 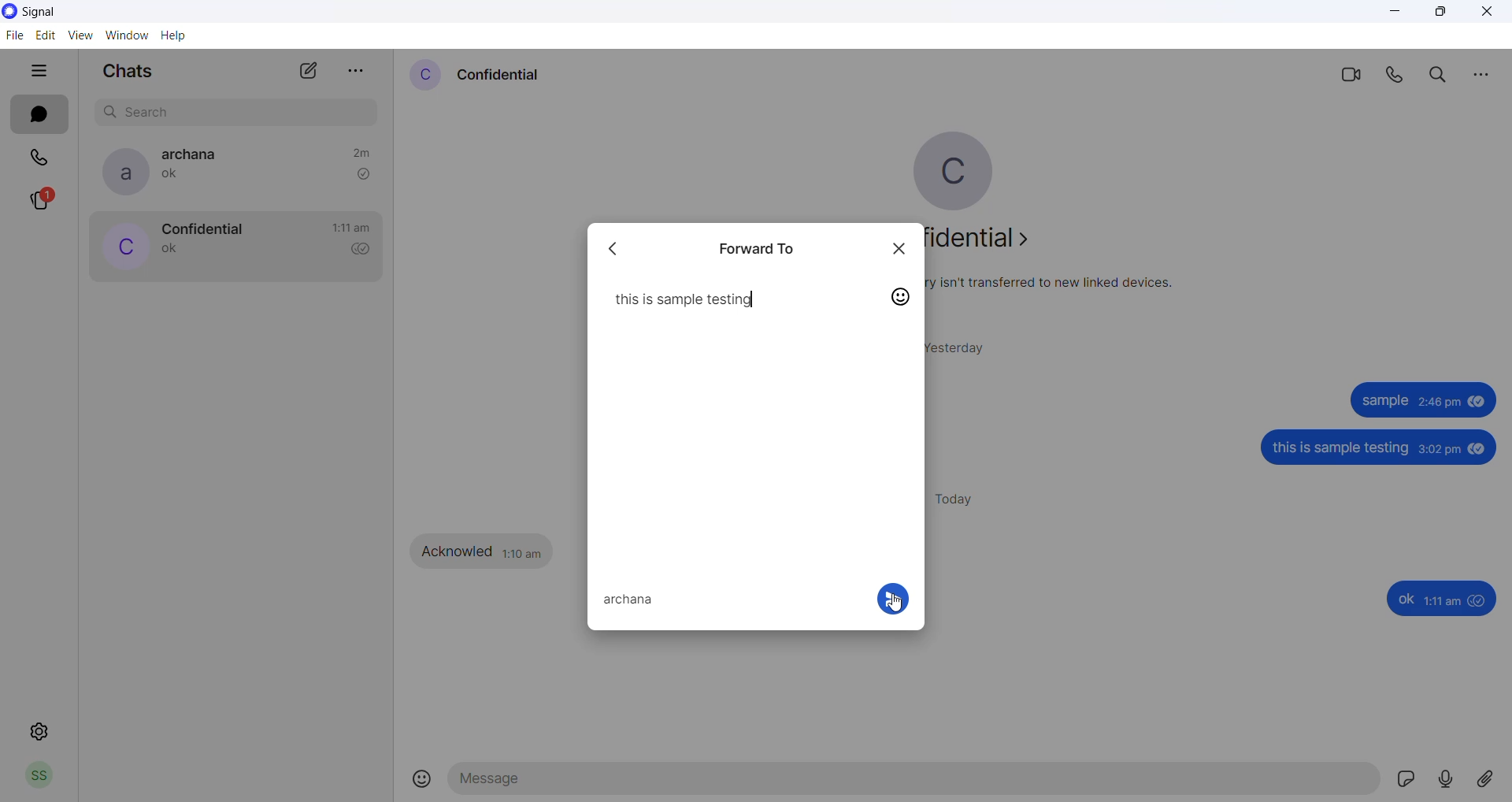 I want to click on profile, so click(x=39, y=778).